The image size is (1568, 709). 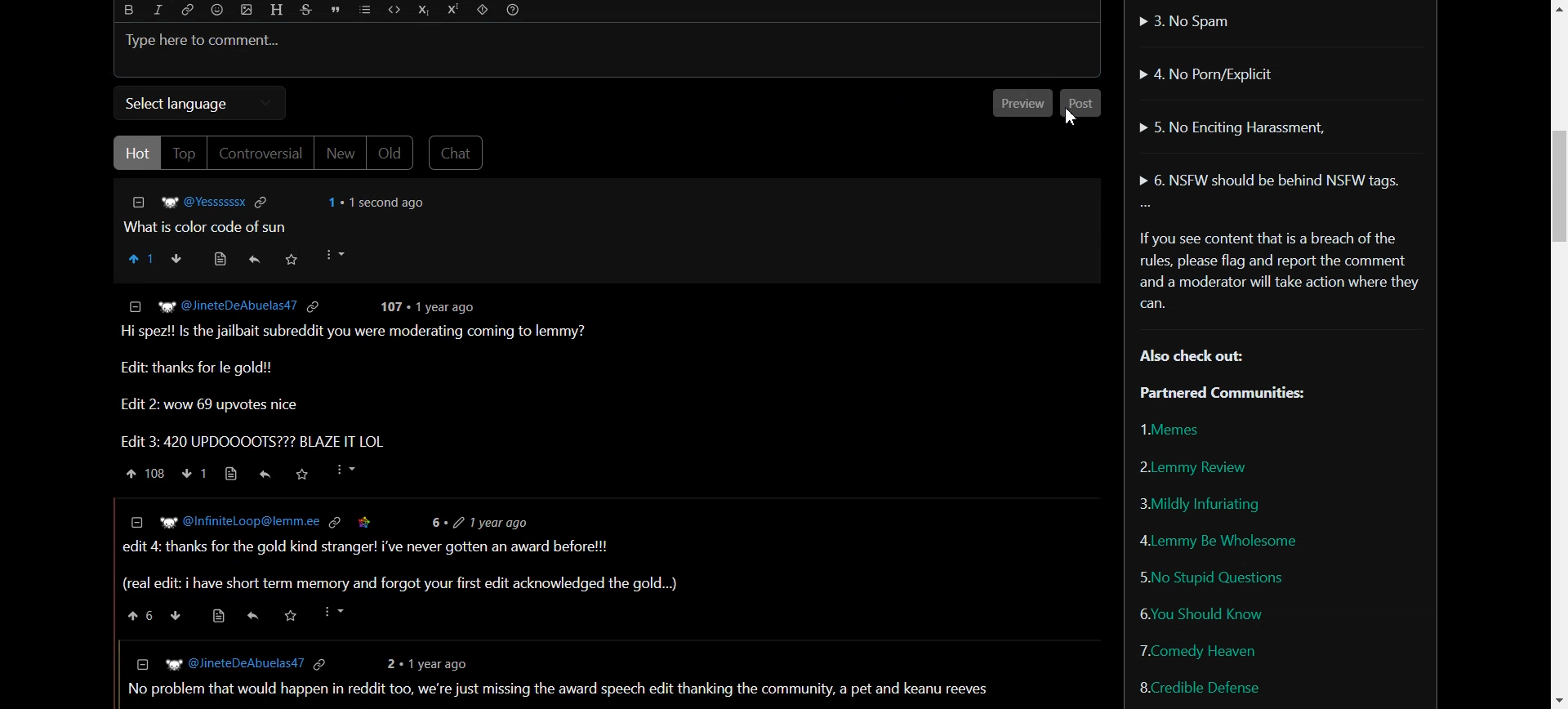 I want to click on collapse, so click(x=135, y=522).